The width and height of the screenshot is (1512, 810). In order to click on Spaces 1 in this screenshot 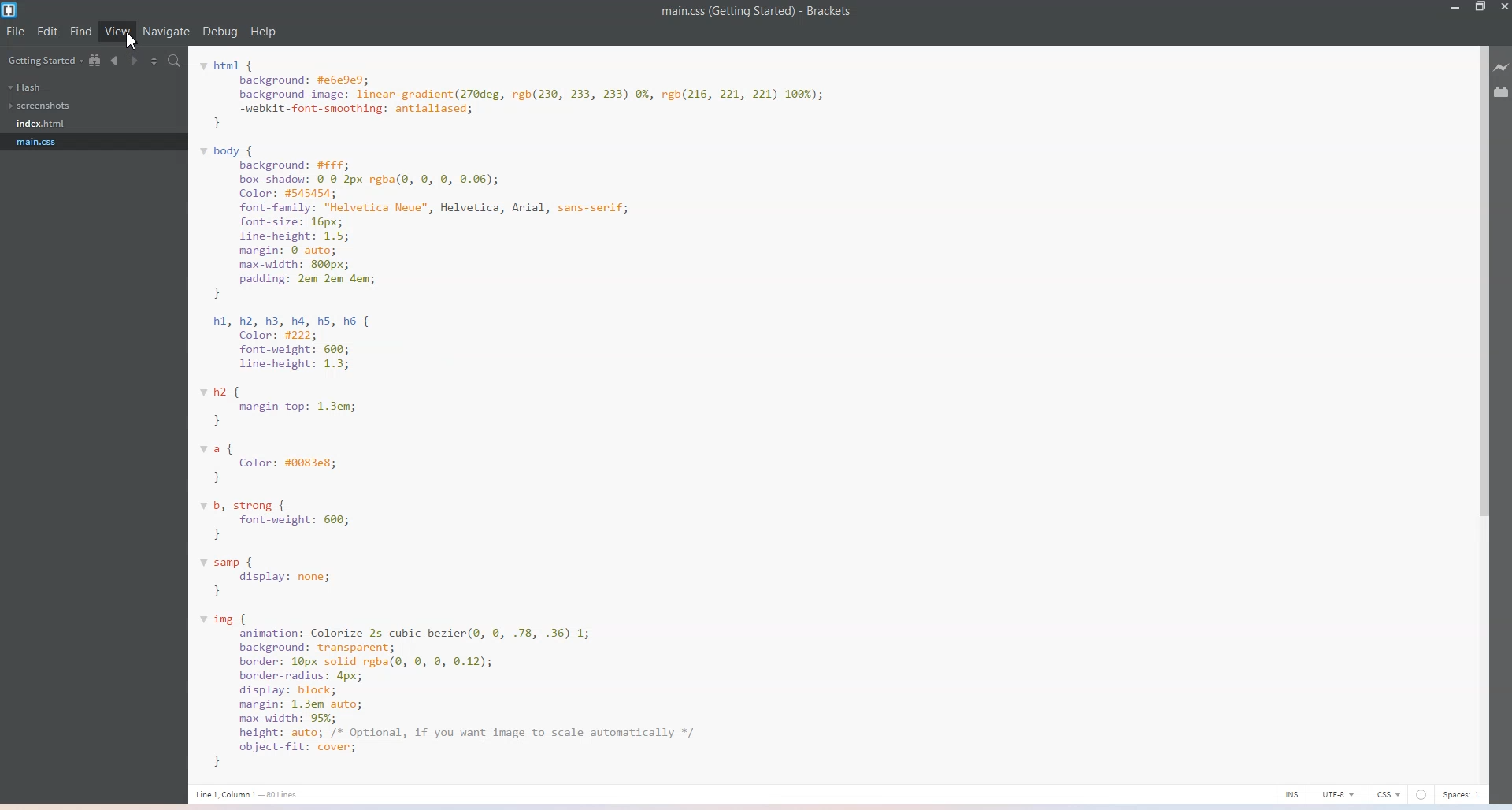, I will do `click(1463, 794)`.